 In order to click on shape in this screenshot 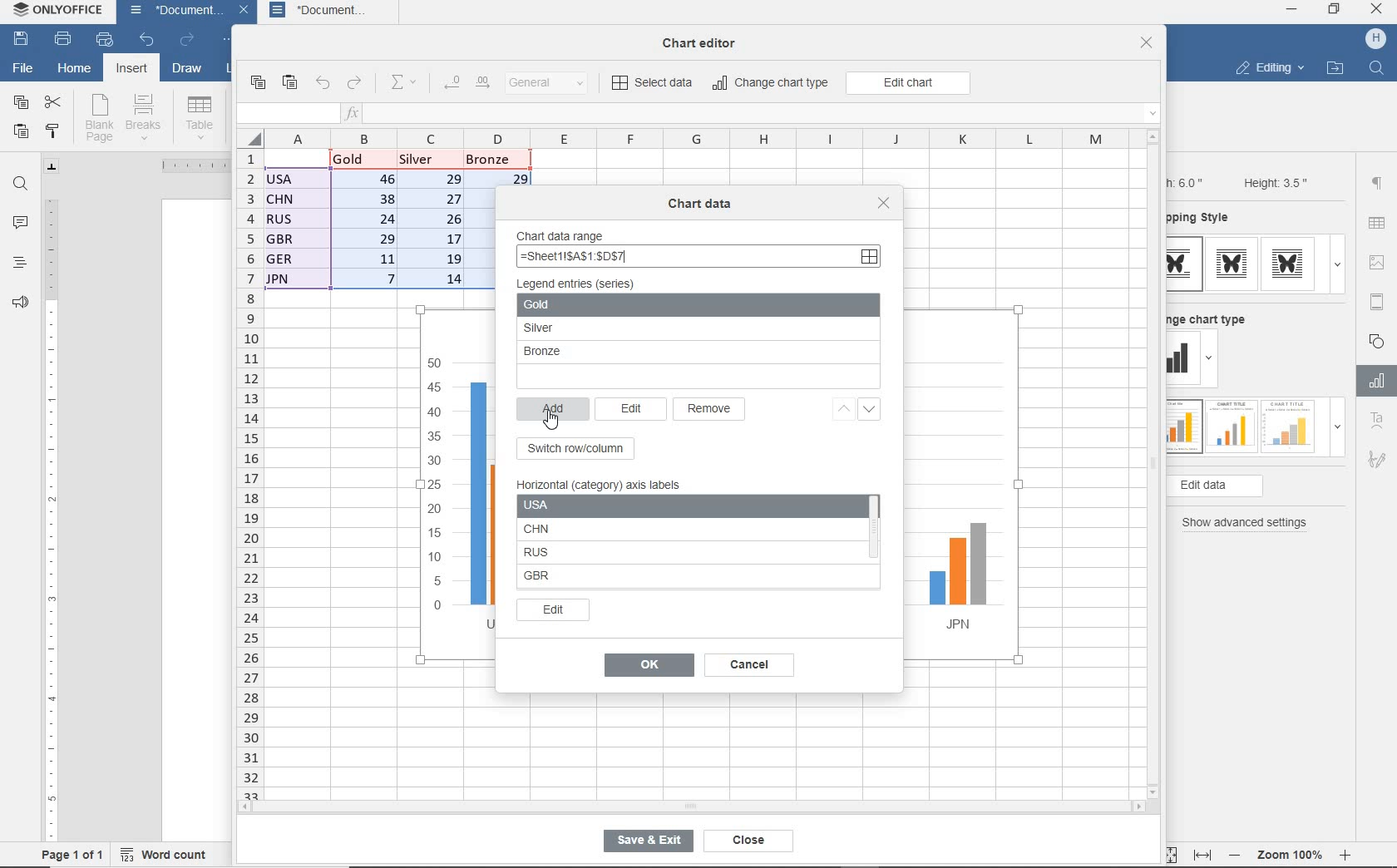, I will do `click(1376, 341)`.